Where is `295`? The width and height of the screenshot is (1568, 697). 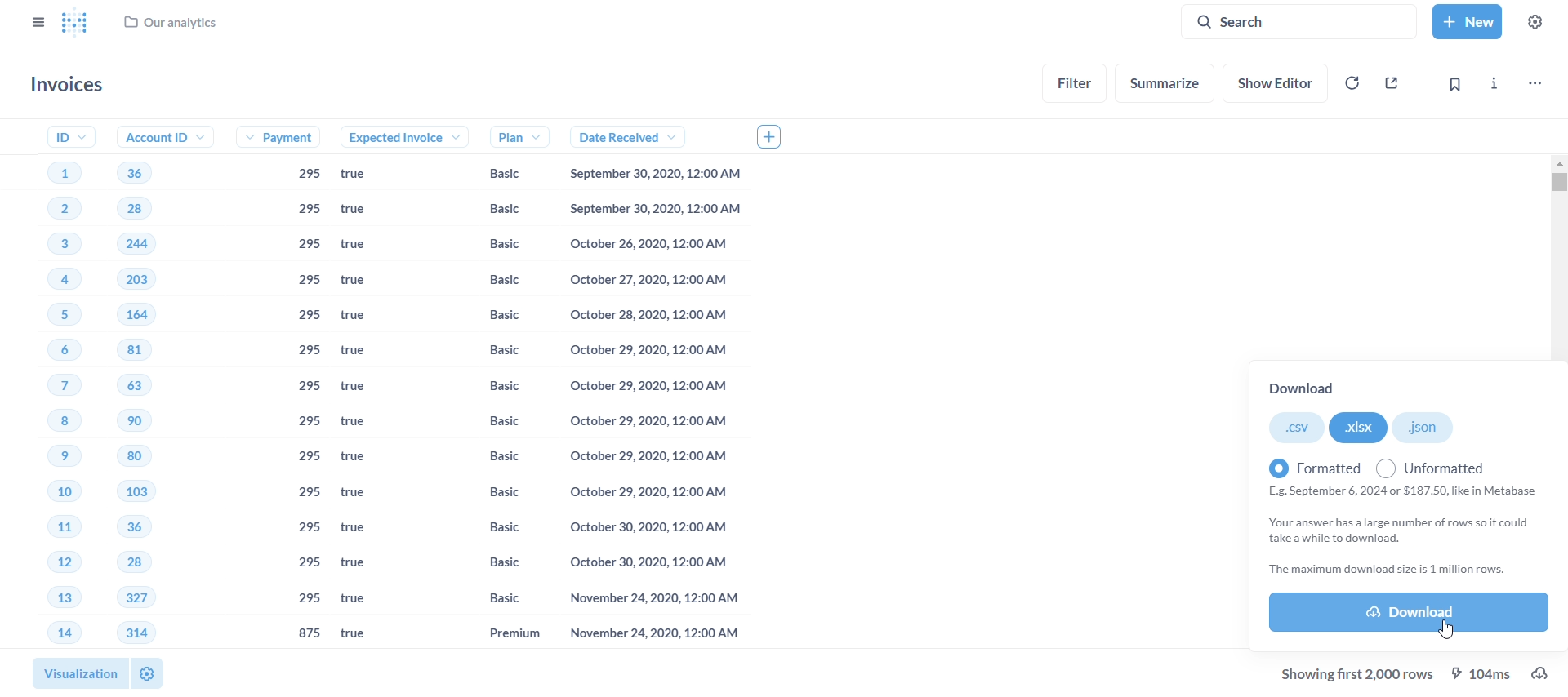 295 is located at coordinates (310, 561).